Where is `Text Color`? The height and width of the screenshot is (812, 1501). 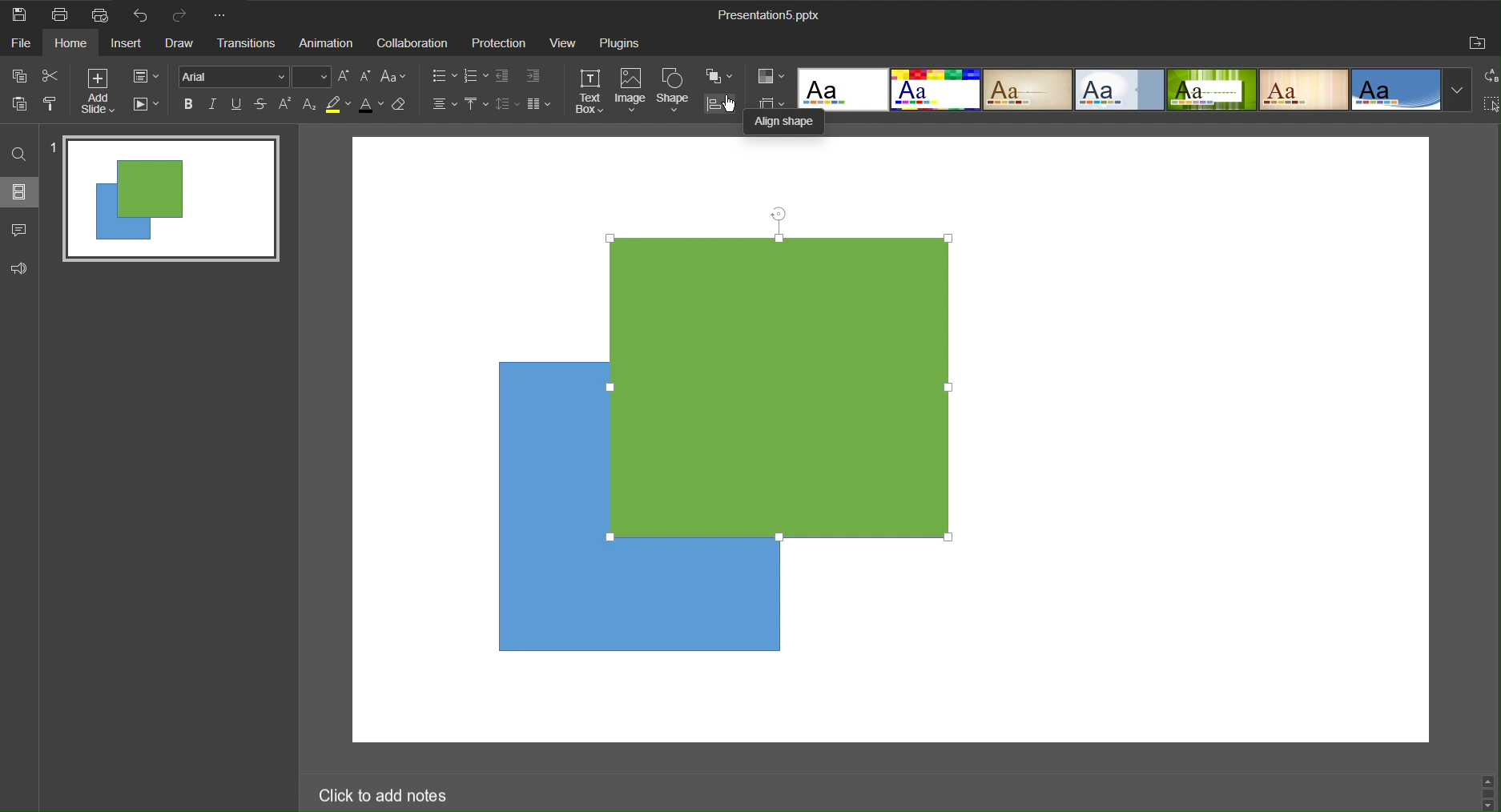 Text Color is located at coordinates (372, 105).